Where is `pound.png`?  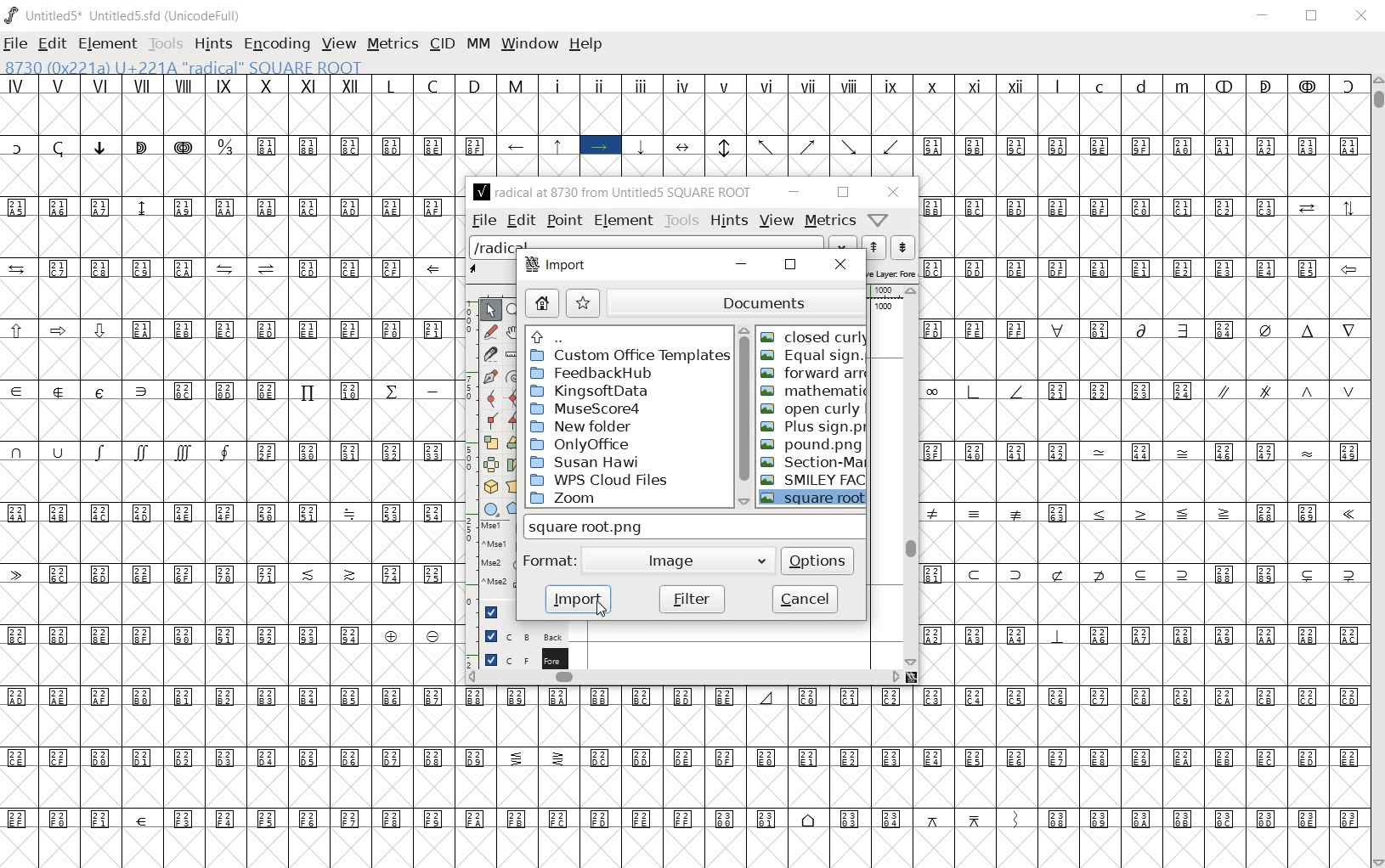 pound.png is located at coordinates (813, 445).